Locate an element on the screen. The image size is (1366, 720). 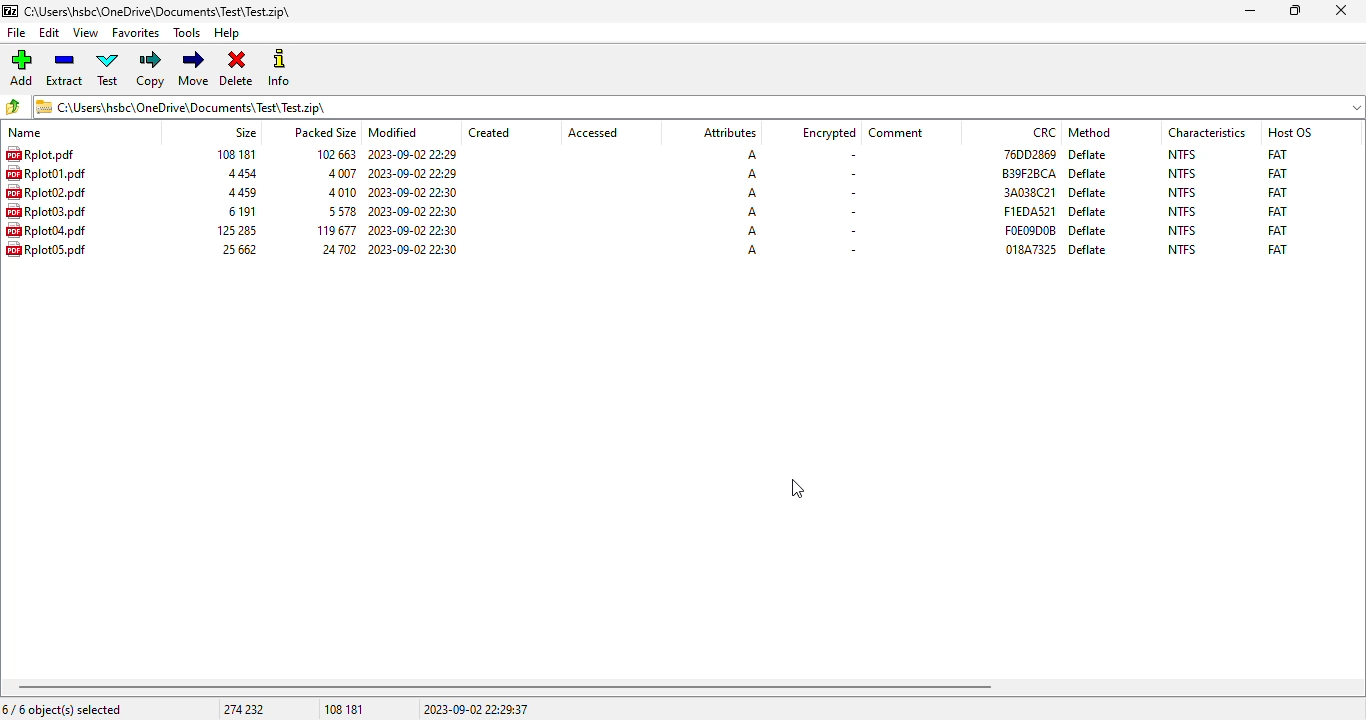
FAT is located at coordinates (1277, 173).